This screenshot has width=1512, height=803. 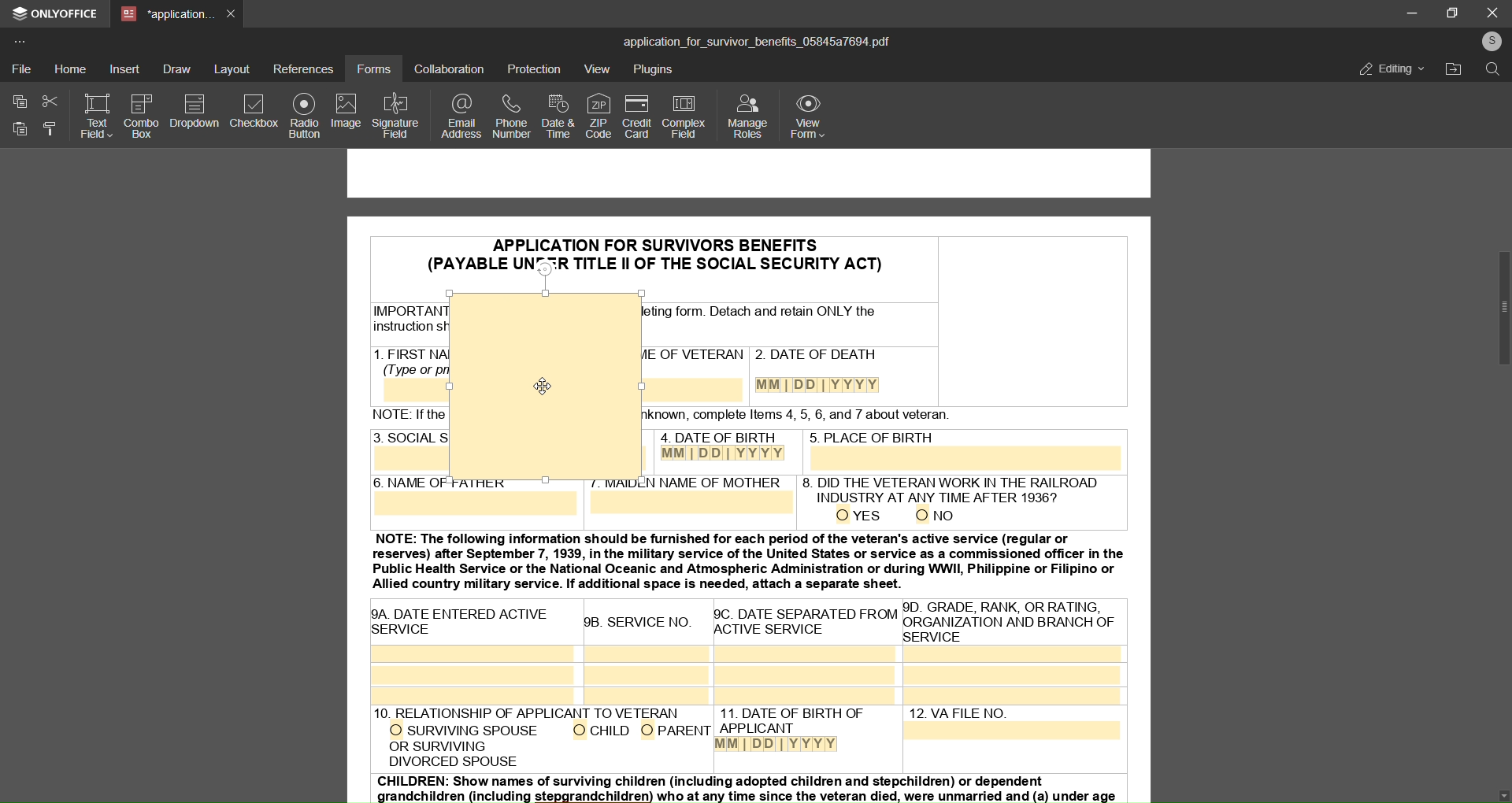 What do you see at coordinates (176, 68) in the screenshot?
I see `draw` at bounding box center [176, 68].